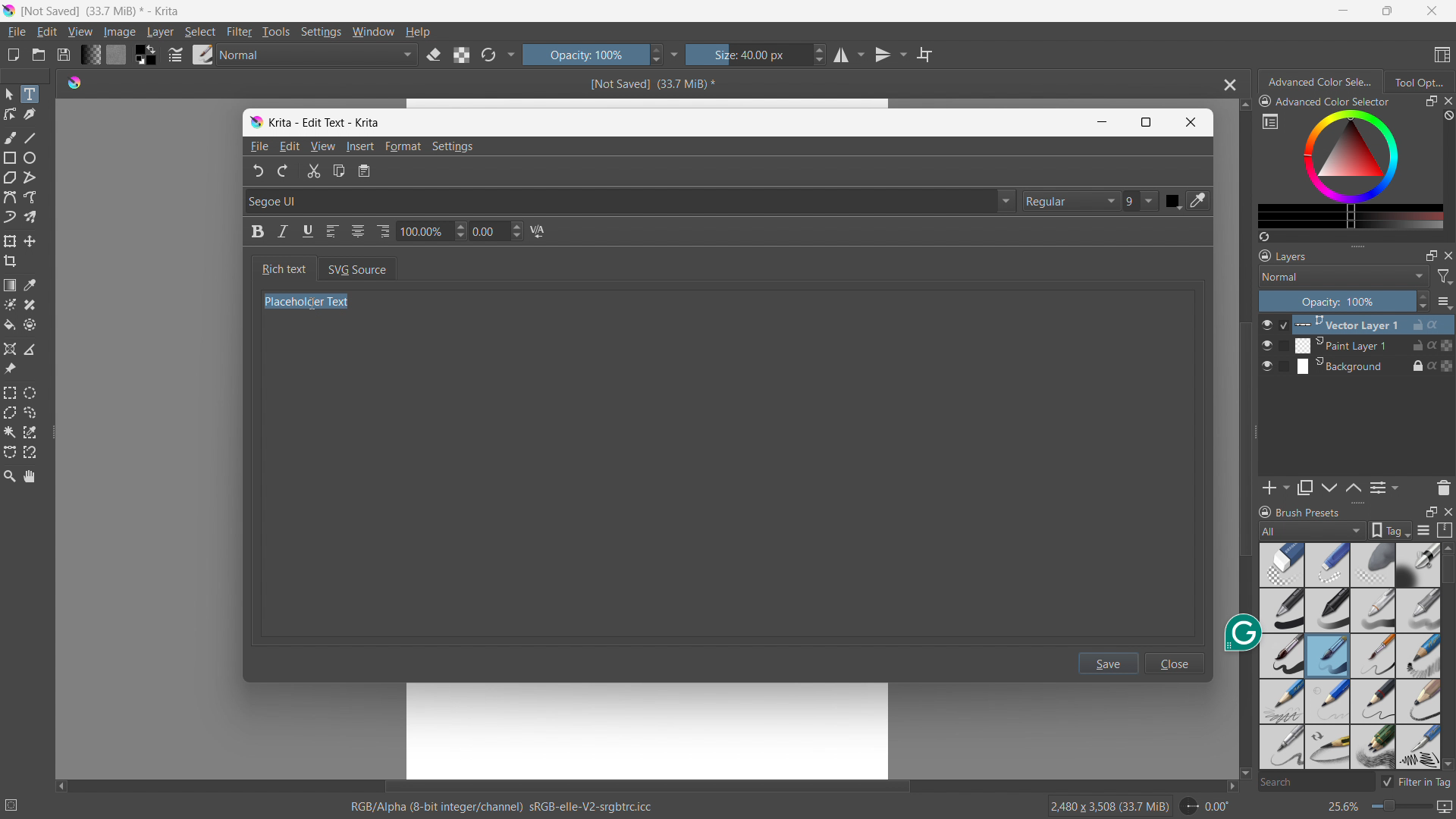  I want to click on maximize, so click(1385, 11).